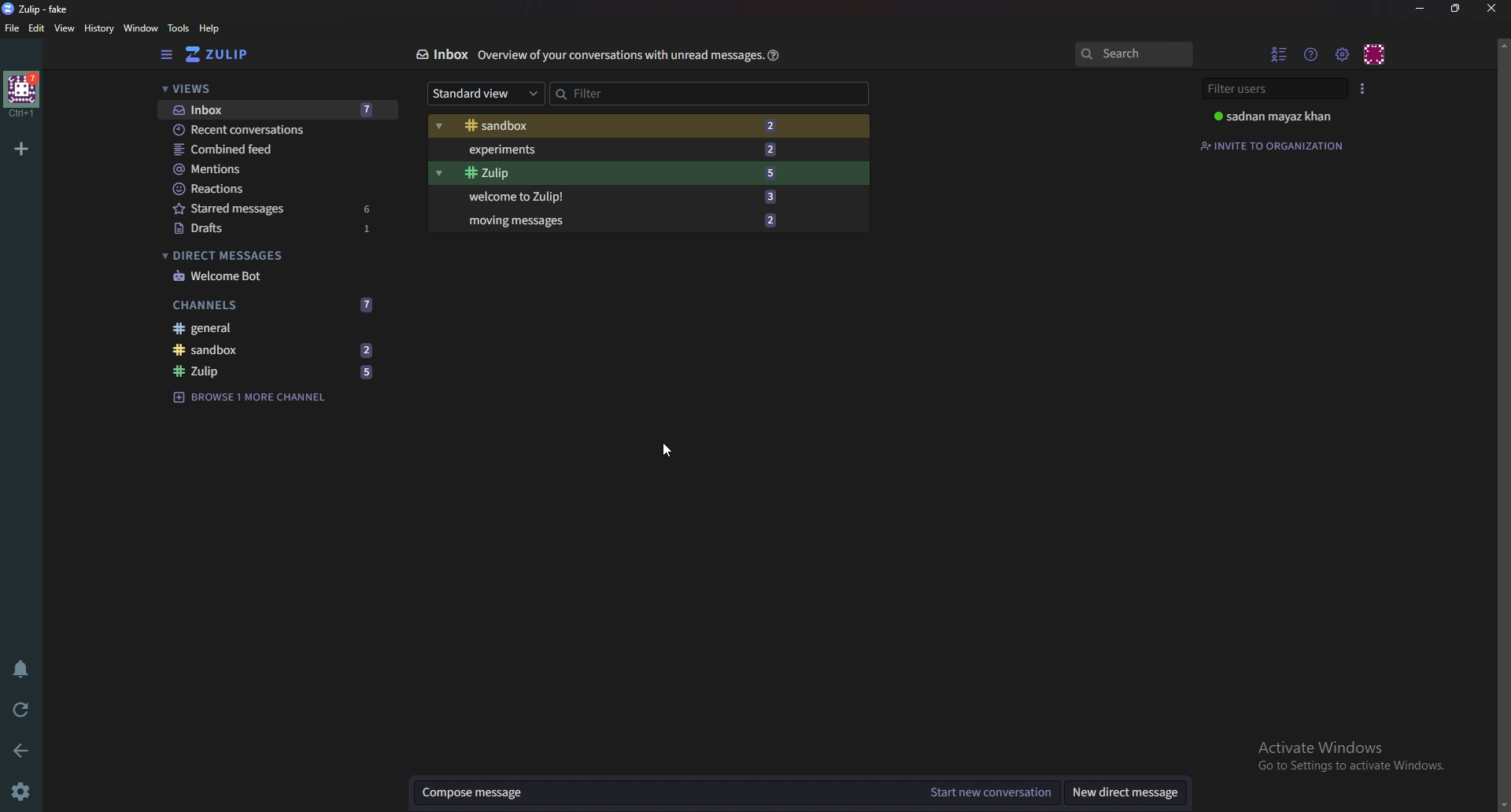 The height and width of the screenshot is (812, 1511). Describe the element at coordinates (41, 9) in the screenshot. I see `zulip-fake` at that location.